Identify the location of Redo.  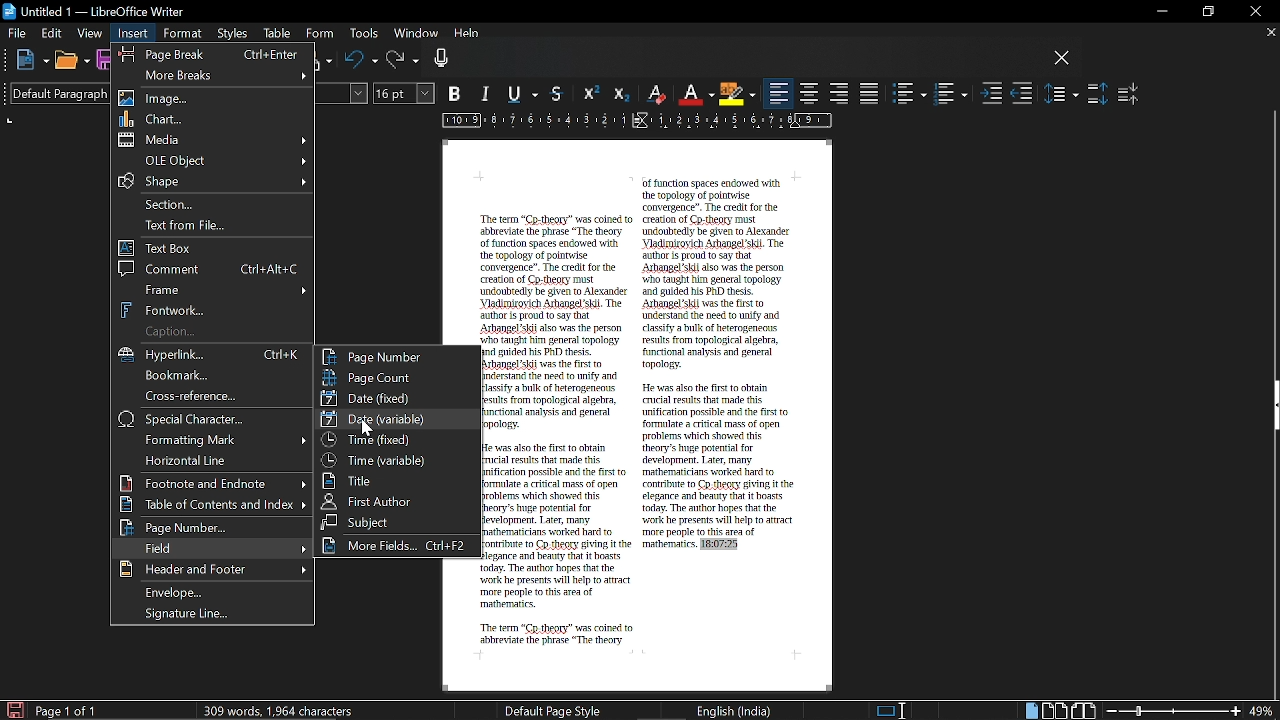
(403, 61).